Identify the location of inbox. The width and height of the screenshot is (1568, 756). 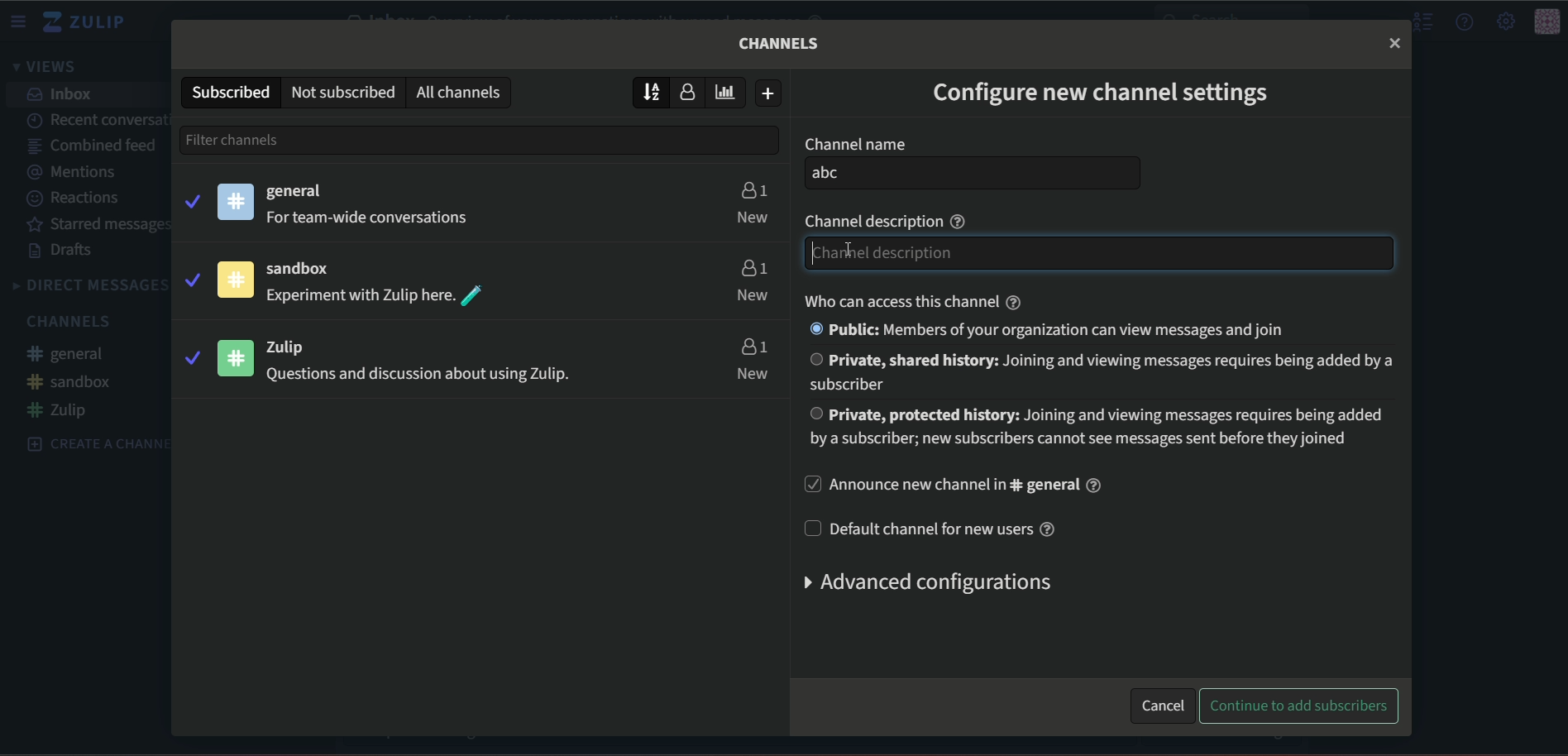
(62, 94).